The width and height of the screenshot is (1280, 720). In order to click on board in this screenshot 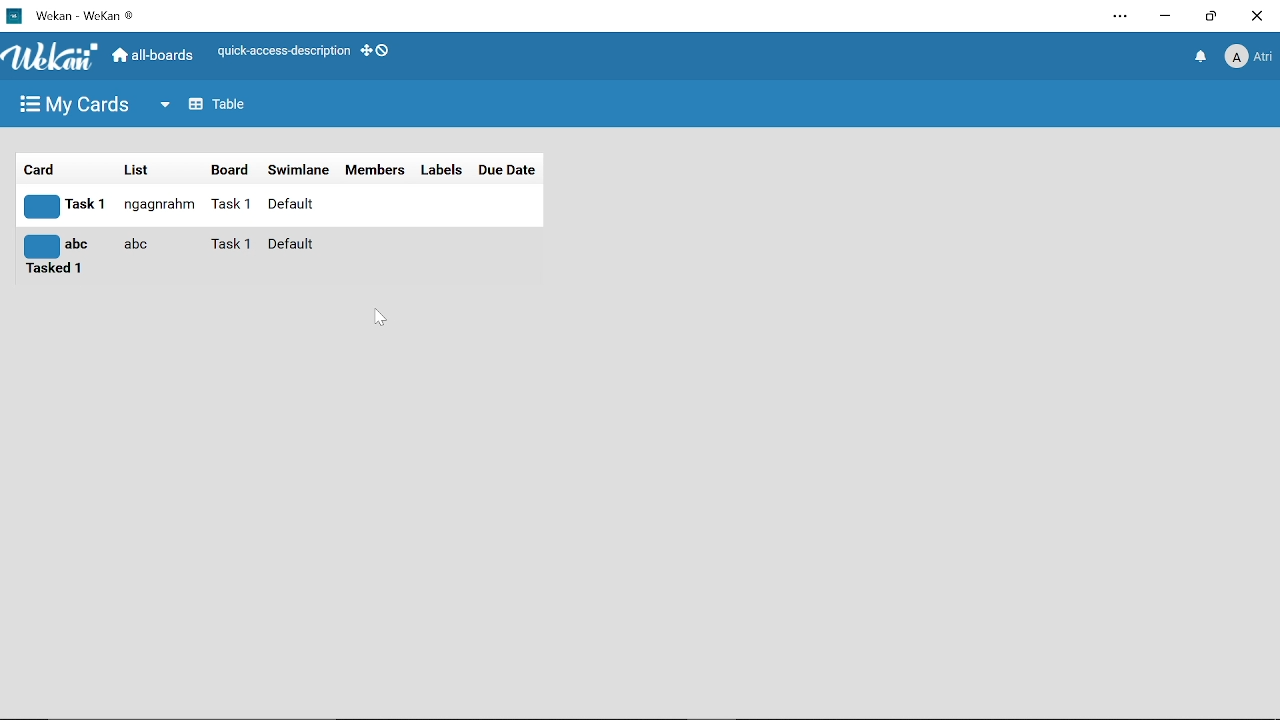, I will do `click(233, 171)`.